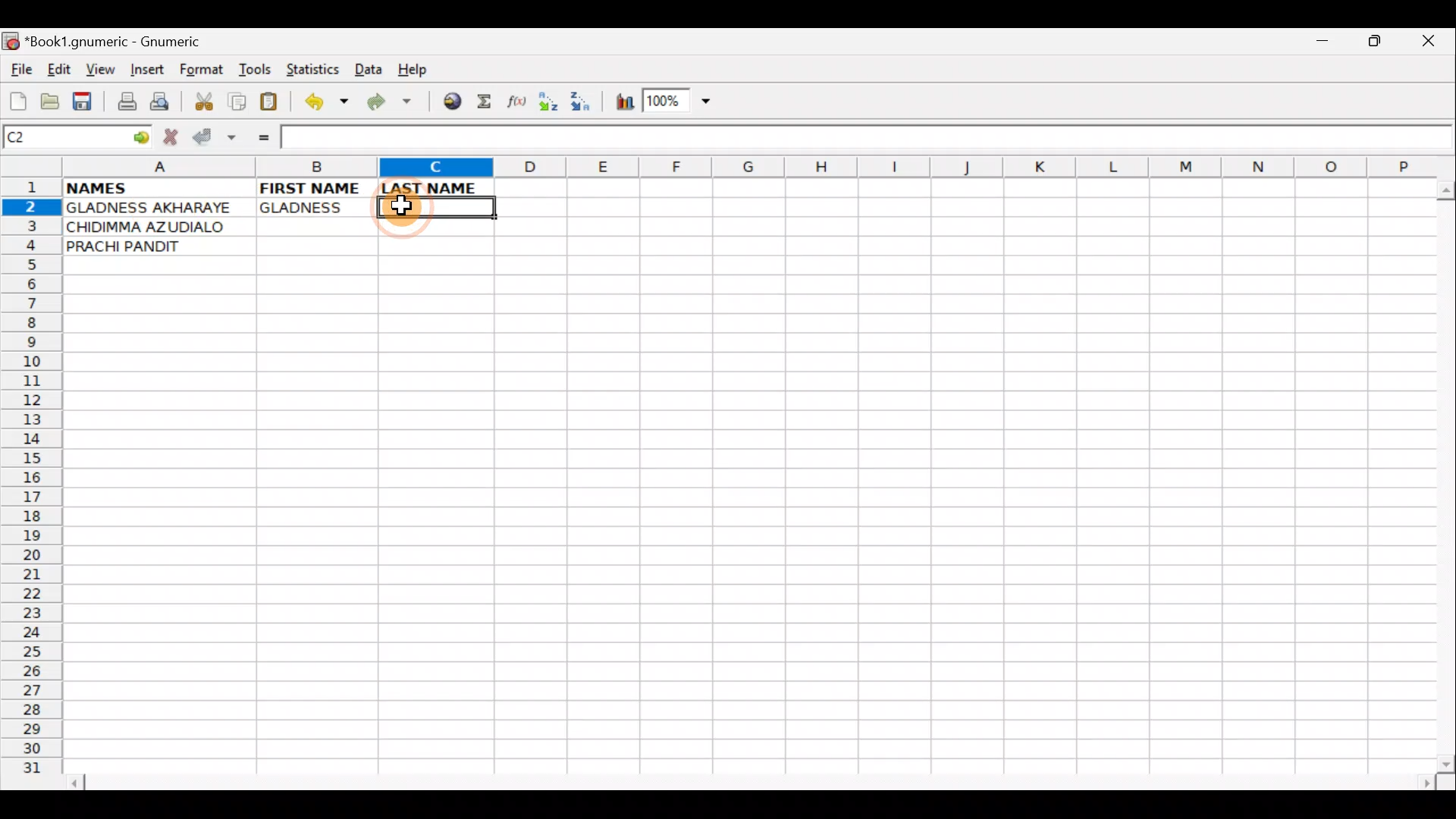  I want to click on Edit, so click(58, 69).